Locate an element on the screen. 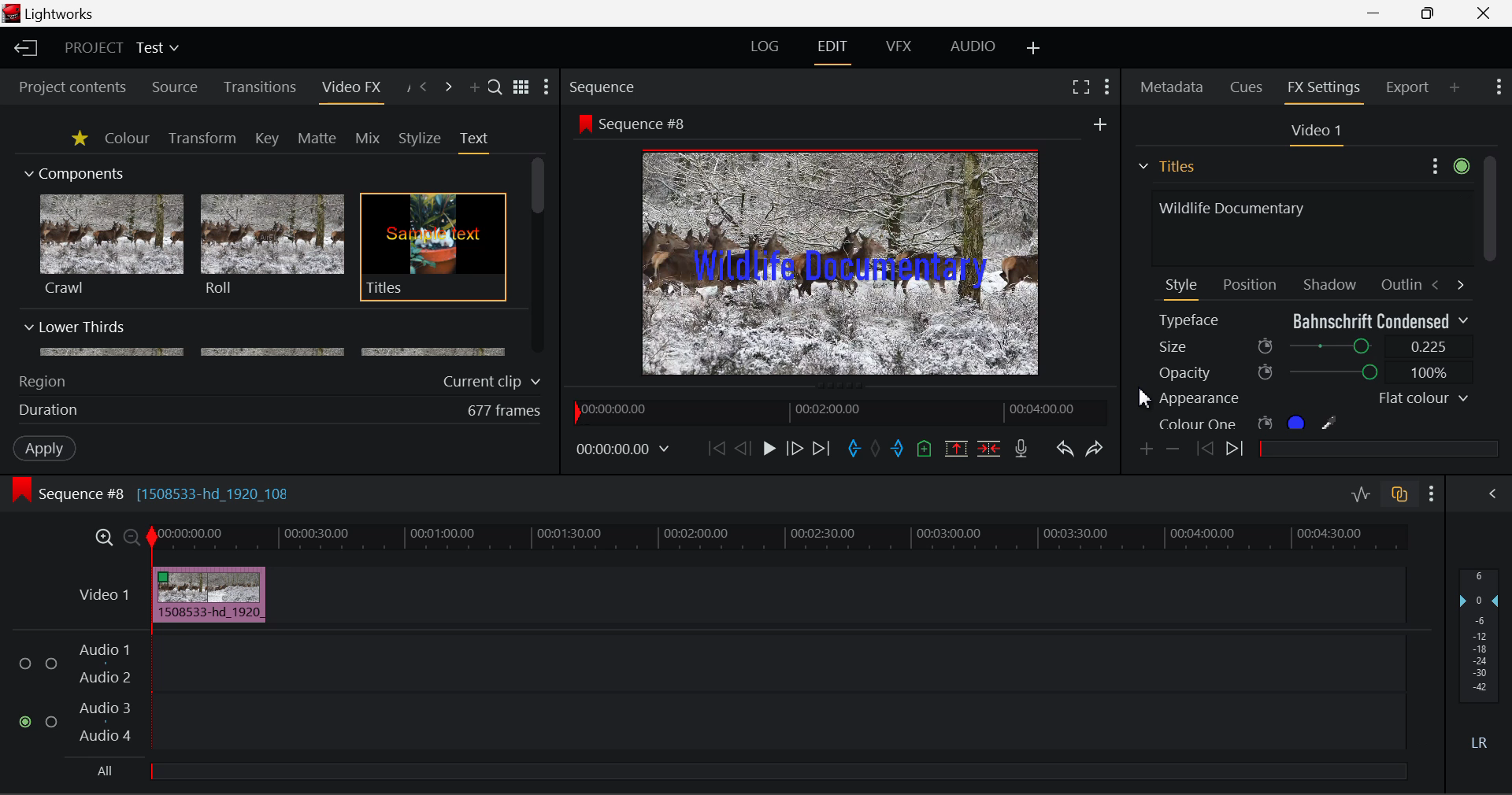 This screenshot has height=795, width=1512. Settings is located at coordinates (1447, 164).